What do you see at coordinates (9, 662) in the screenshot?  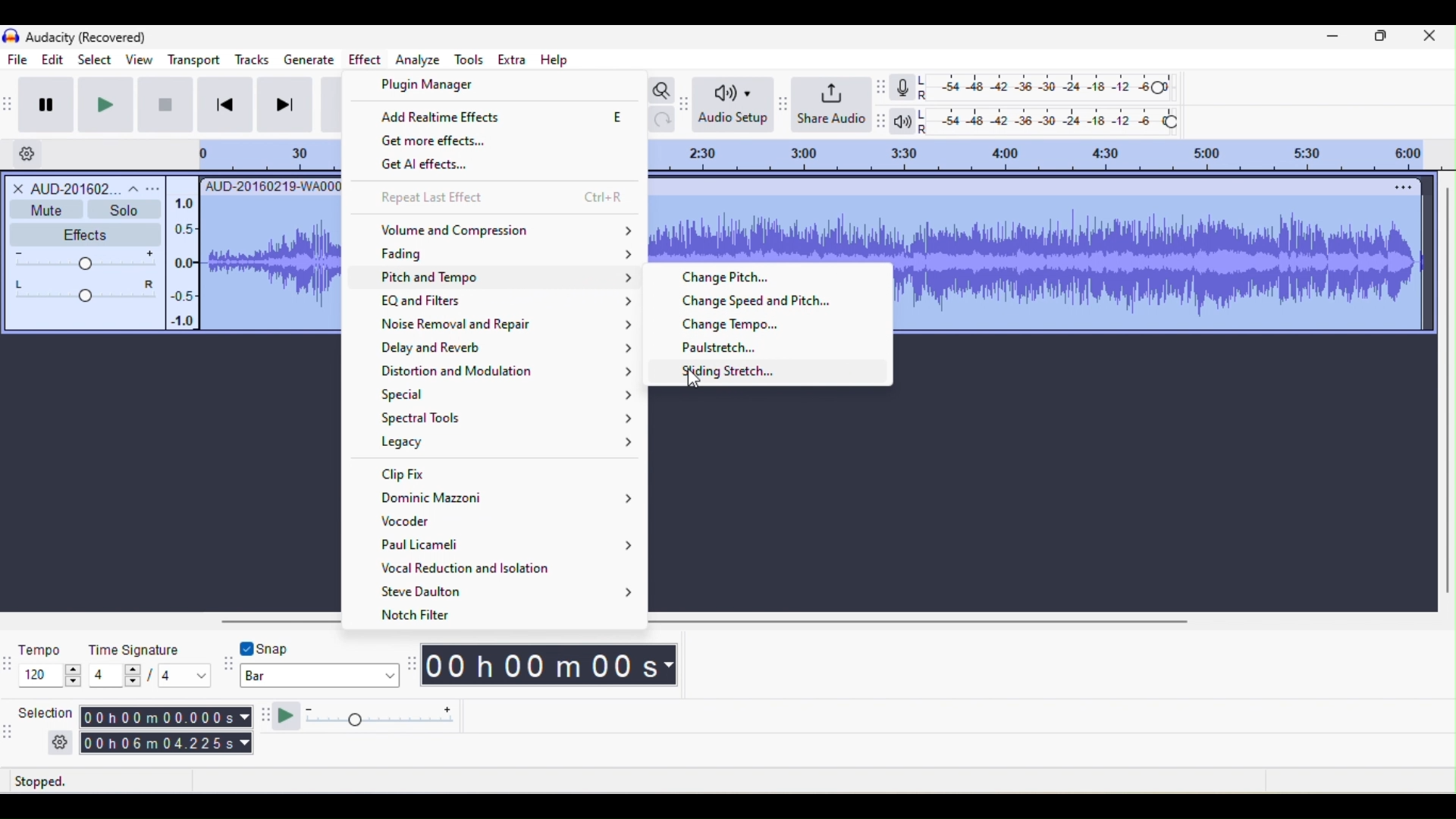 I see `audacity time signature toolbar` at bounding box center [9, 662].